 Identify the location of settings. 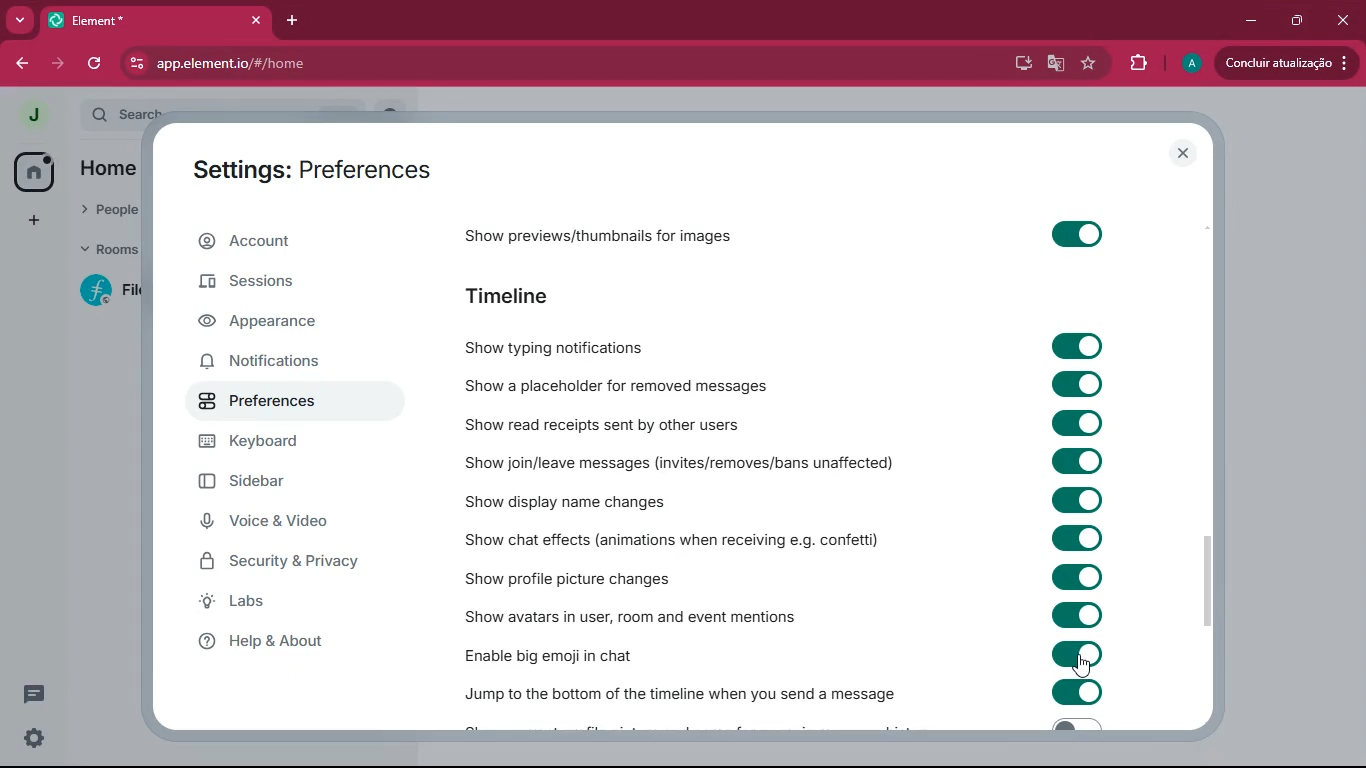
(36, 738).